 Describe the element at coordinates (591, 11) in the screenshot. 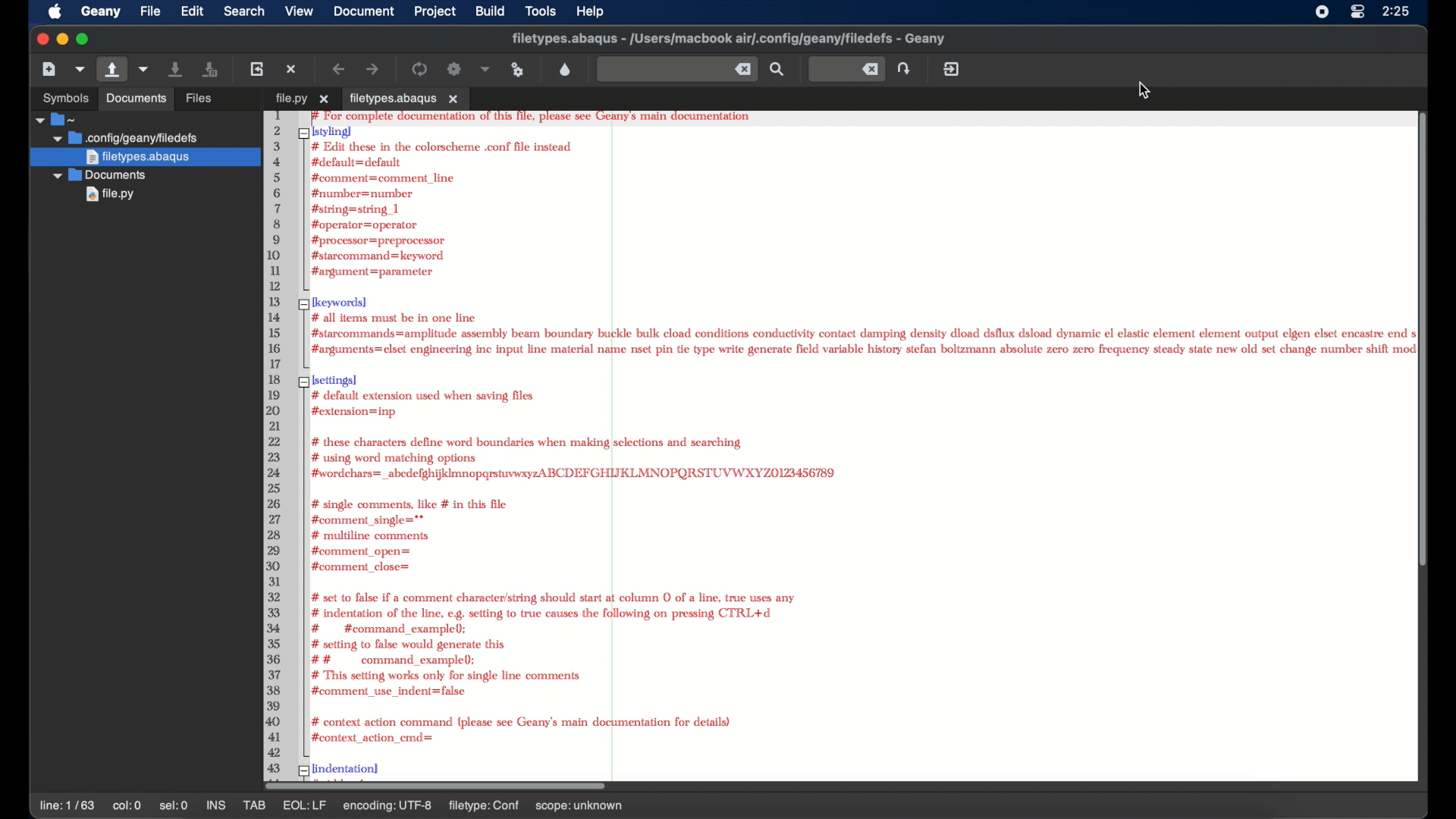

I see `help` at that location.